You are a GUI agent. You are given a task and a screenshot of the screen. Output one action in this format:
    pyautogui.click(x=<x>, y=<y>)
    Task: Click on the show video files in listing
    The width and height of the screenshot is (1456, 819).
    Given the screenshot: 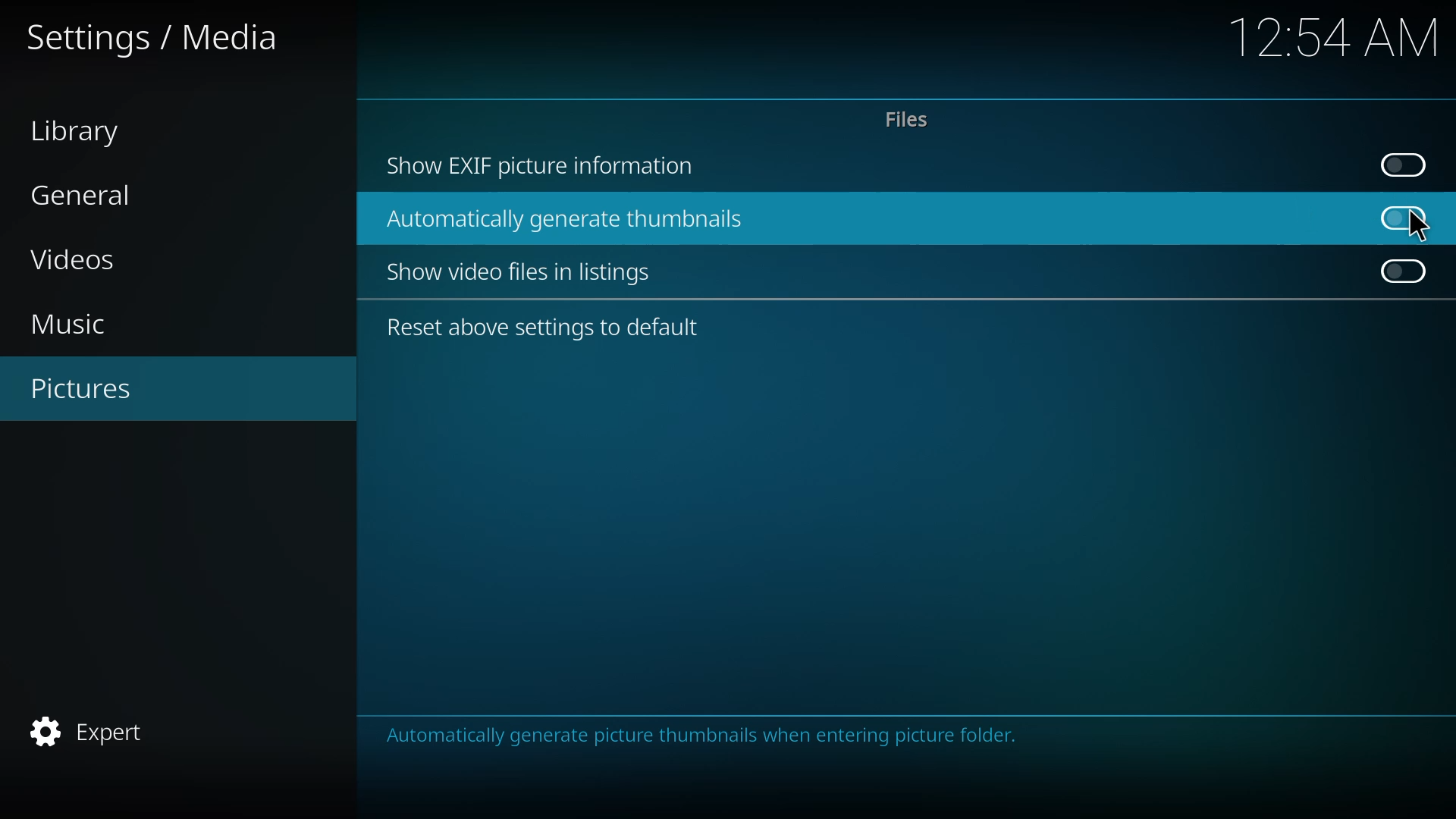 What is the action you would take?
    pyautogui.click(x=524, y=273)
    